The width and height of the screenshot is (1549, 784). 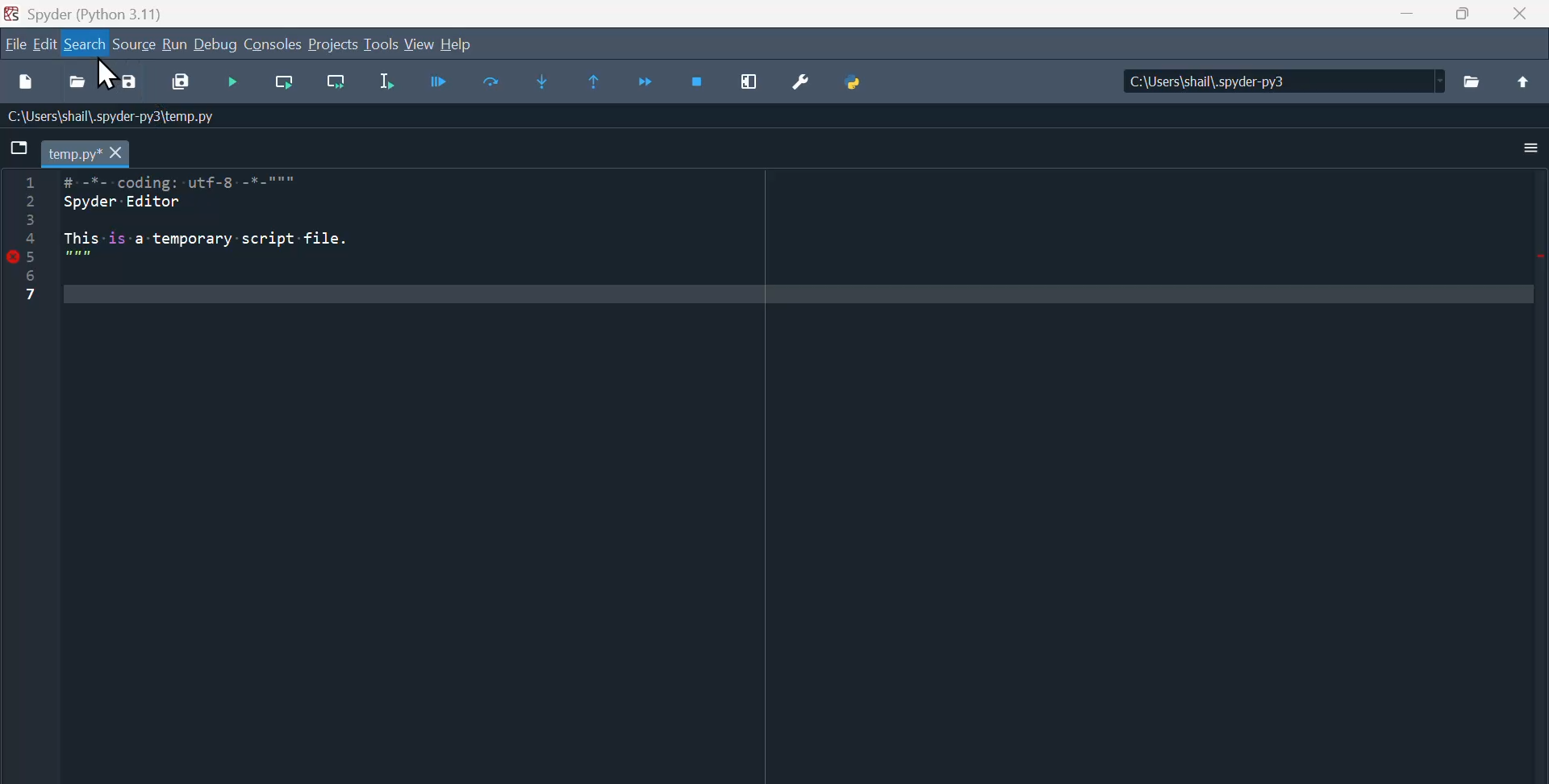 I want to click on Save as, so click(x=135, y=81).